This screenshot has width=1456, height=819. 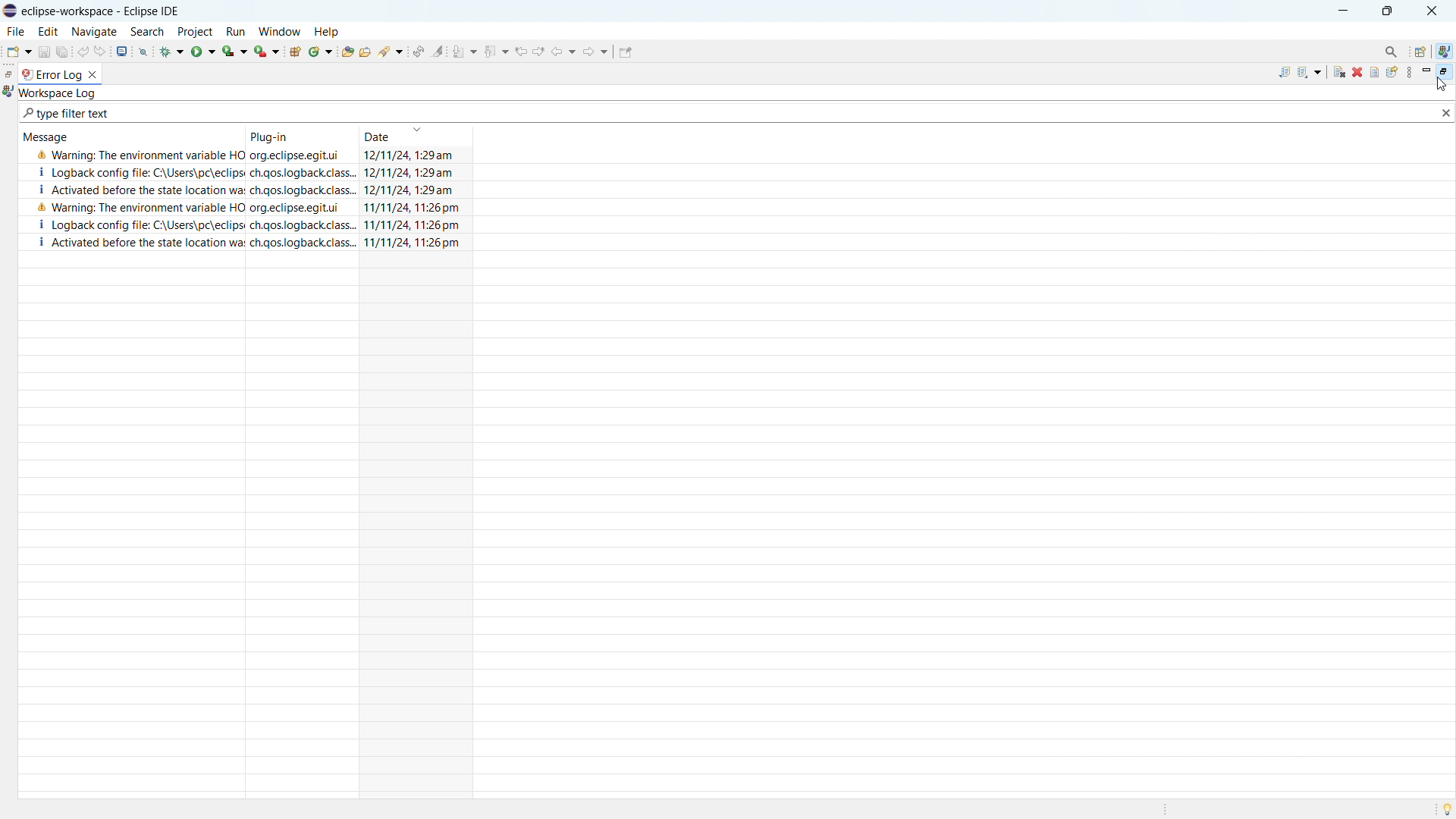 I want to click on undo, so click(x=84, y=50).